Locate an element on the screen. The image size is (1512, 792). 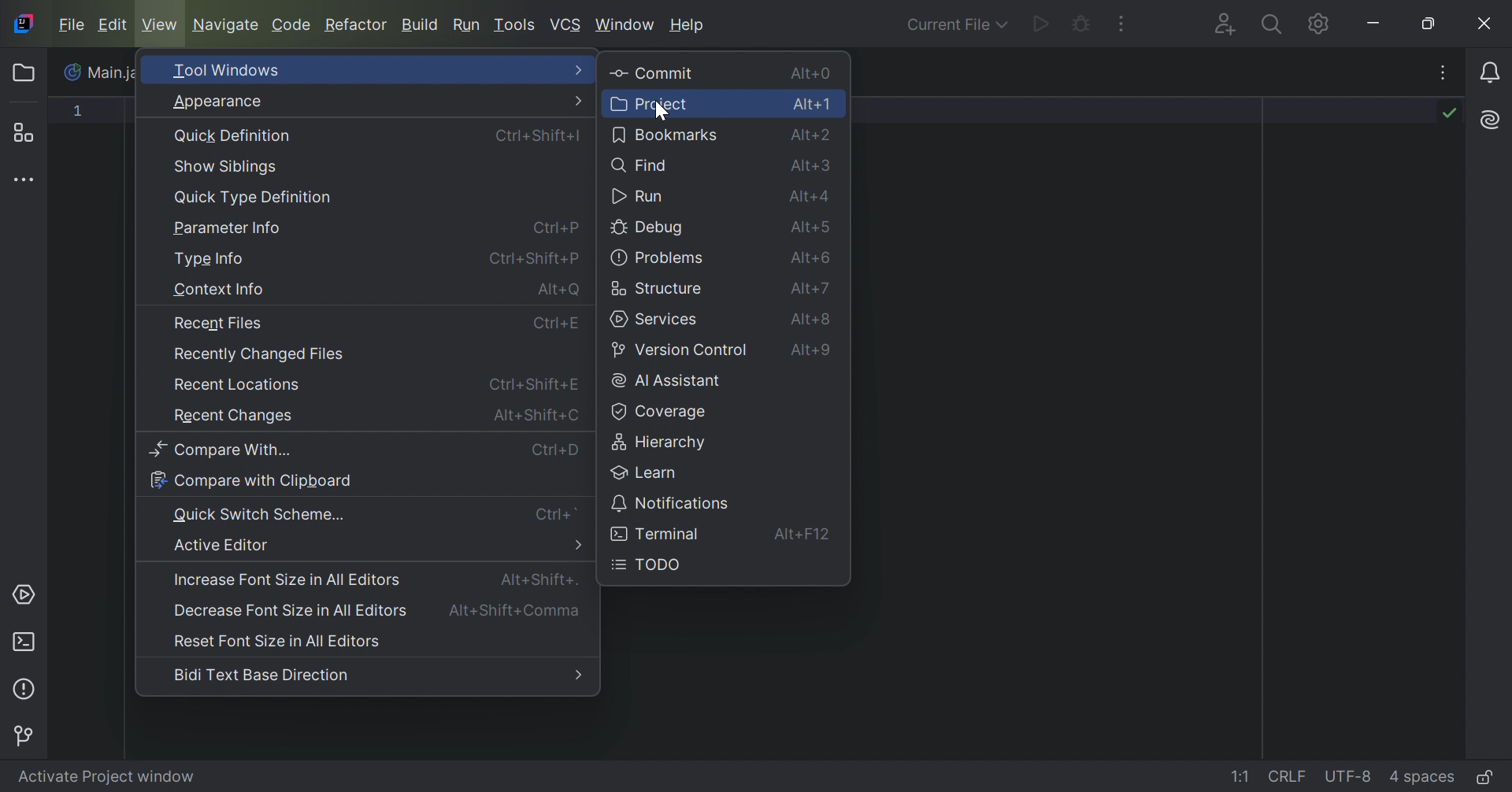
TODO is located at coordinates (647, 565).